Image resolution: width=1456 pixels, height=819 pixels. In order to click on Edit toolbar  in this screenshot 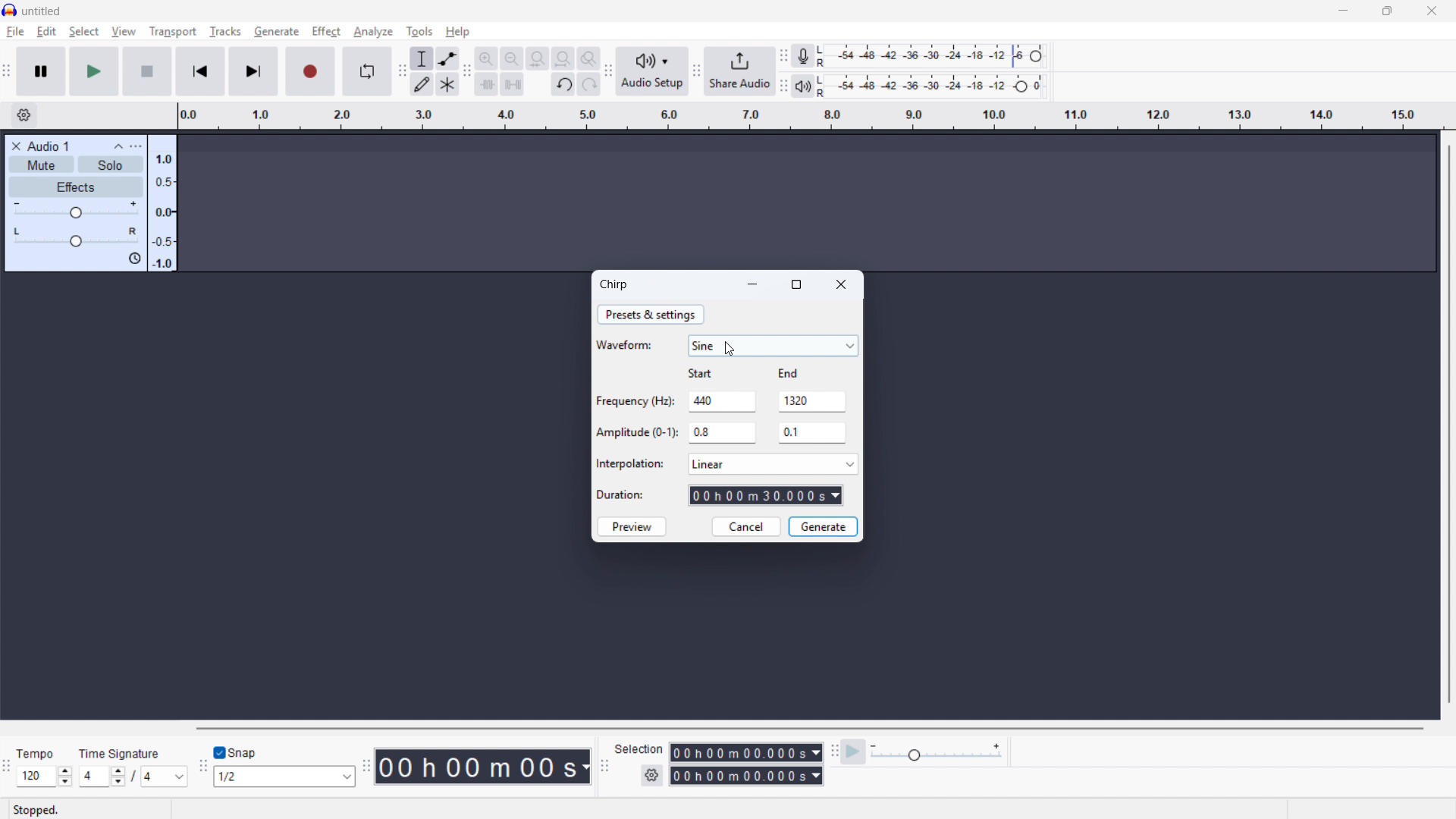, I will do `click(467, 73)`.